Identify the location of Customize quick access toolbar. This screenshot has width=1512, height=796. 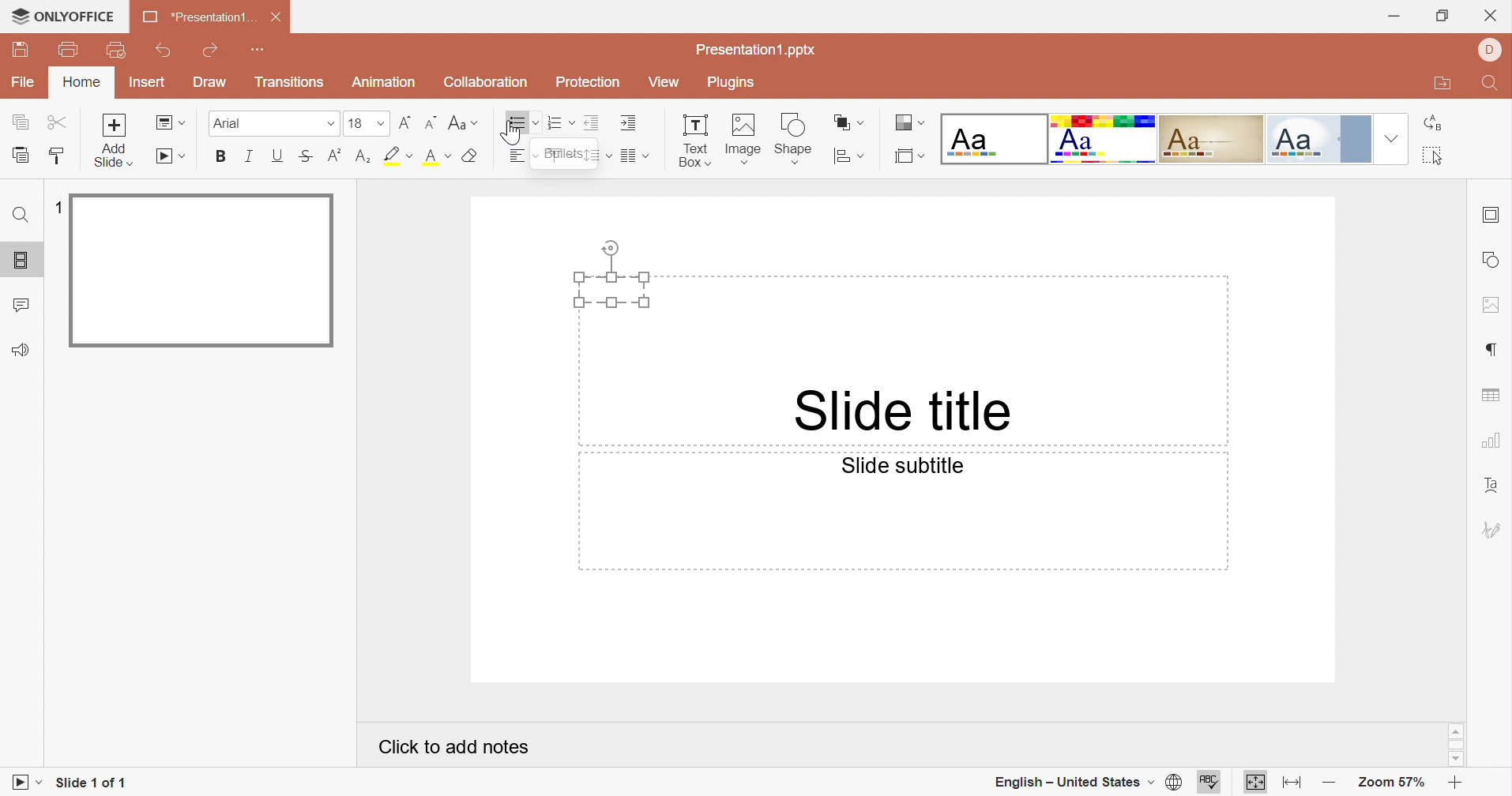
(261, 50).